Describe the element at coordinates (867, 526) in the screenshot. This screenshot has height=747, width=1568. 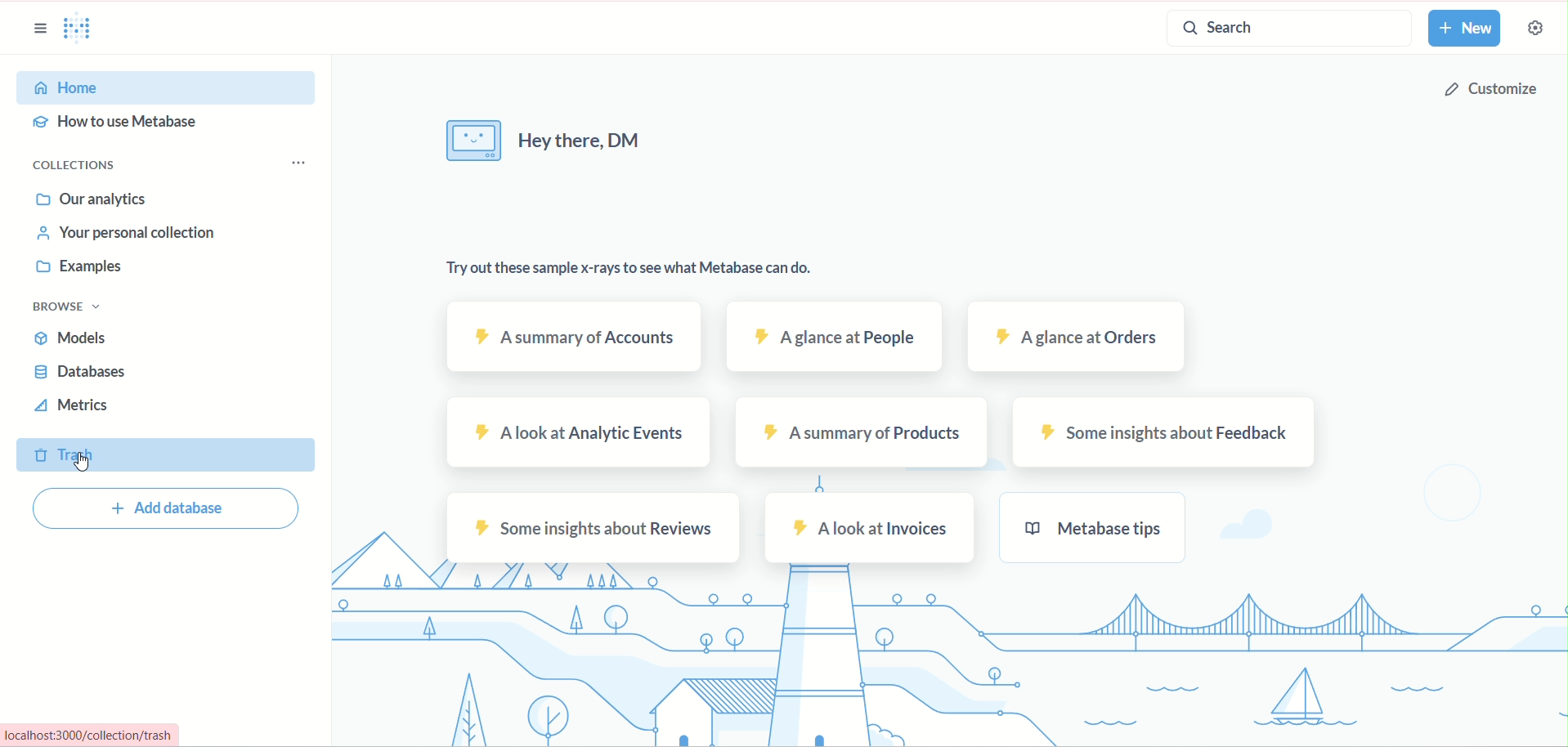
I see `a look at invoices` at that location.